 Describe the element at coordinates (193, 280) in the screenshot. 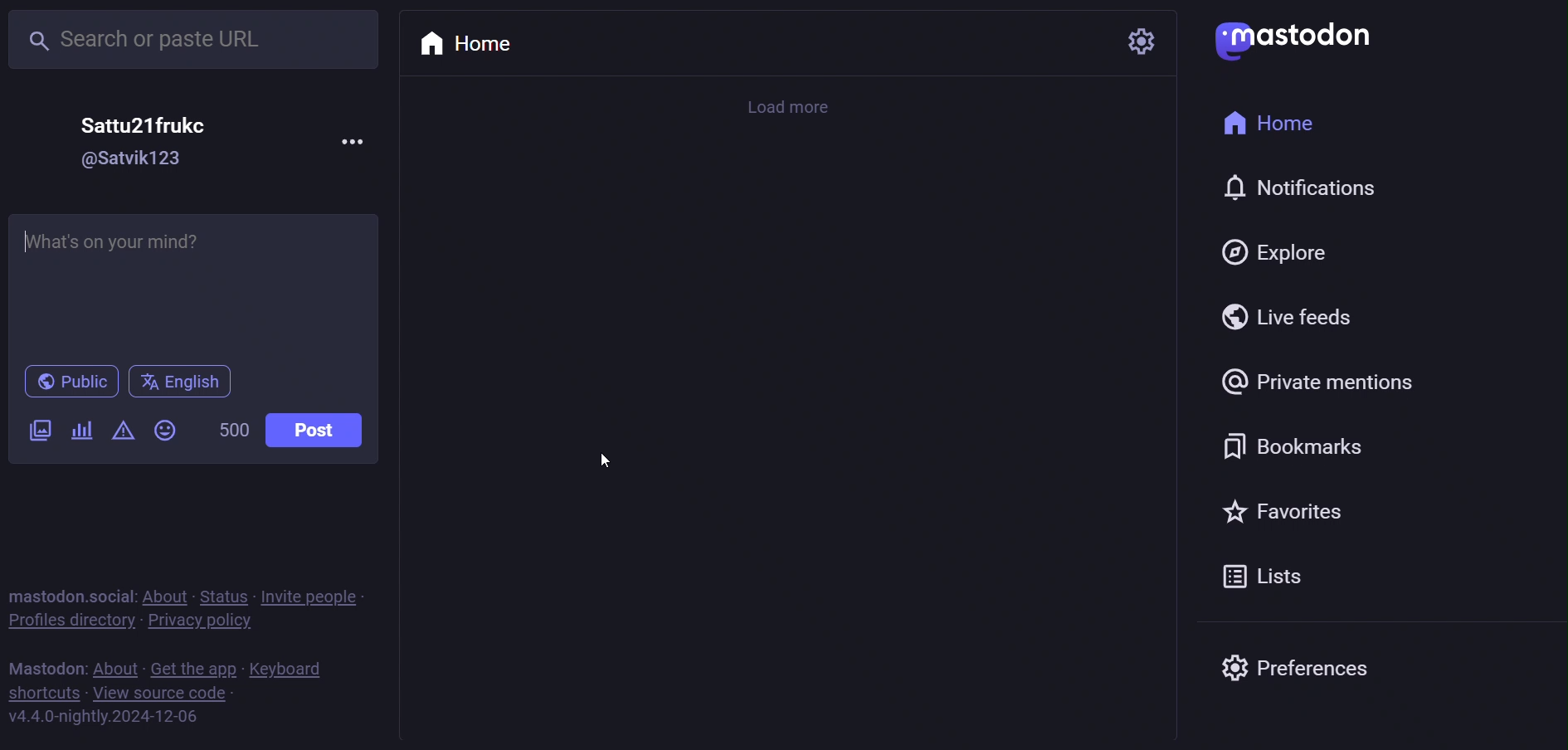

I see `write here` at that location.